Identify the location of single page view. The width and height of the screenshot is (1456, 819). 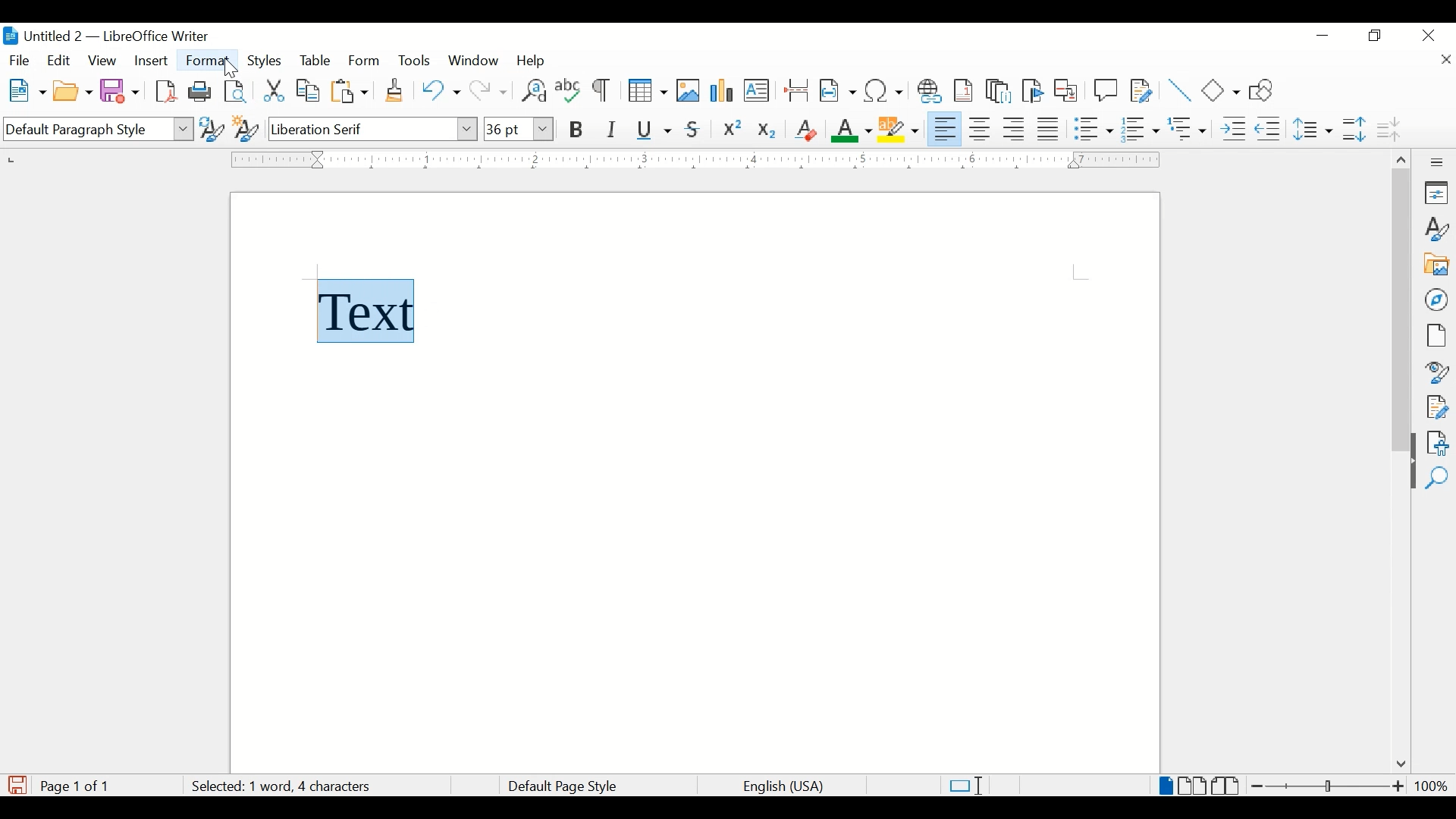
(1166, 786).